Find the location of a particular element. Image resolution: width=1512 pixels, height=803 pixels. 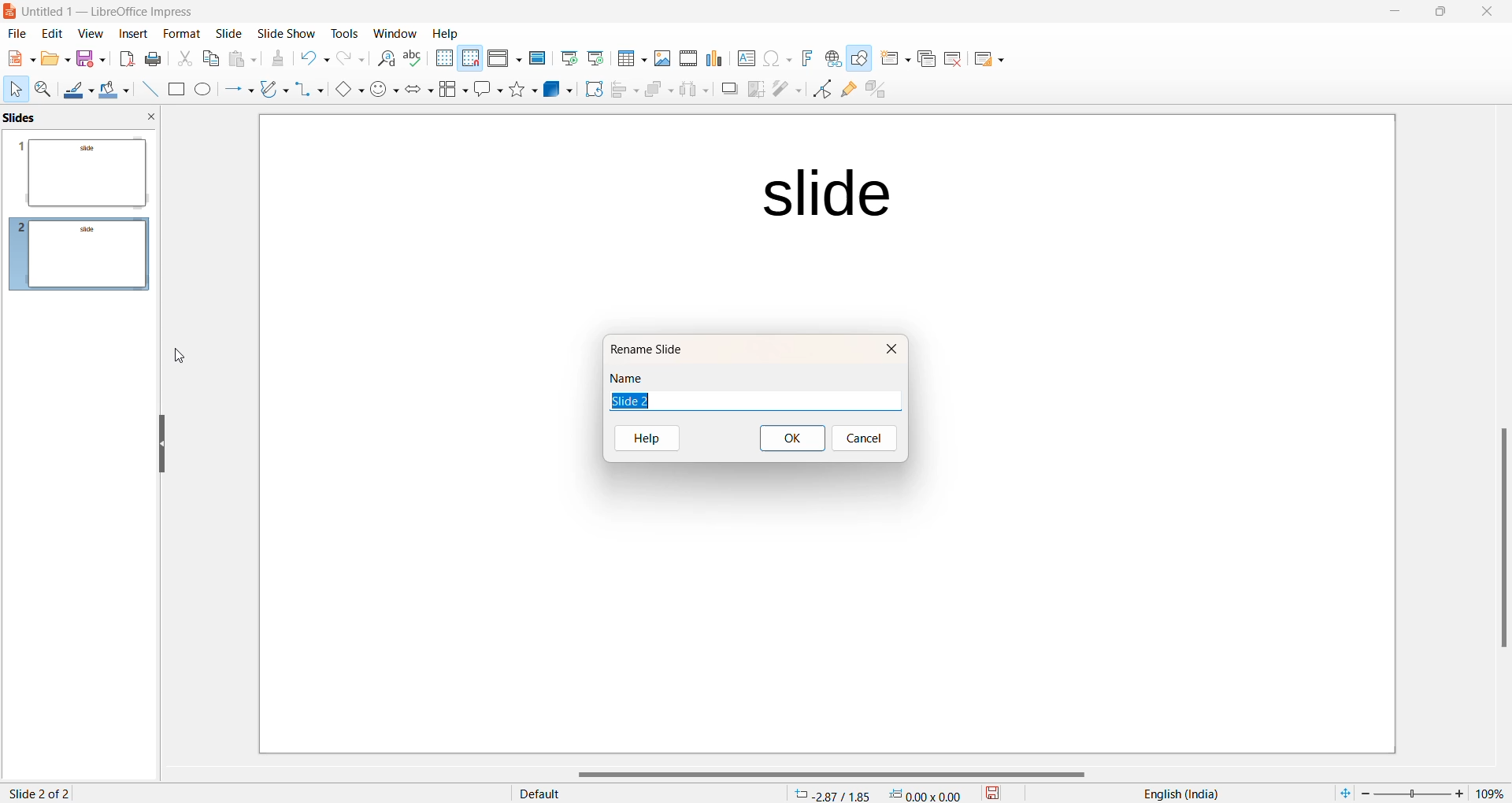

Copy is located at coordinates (209, 60).